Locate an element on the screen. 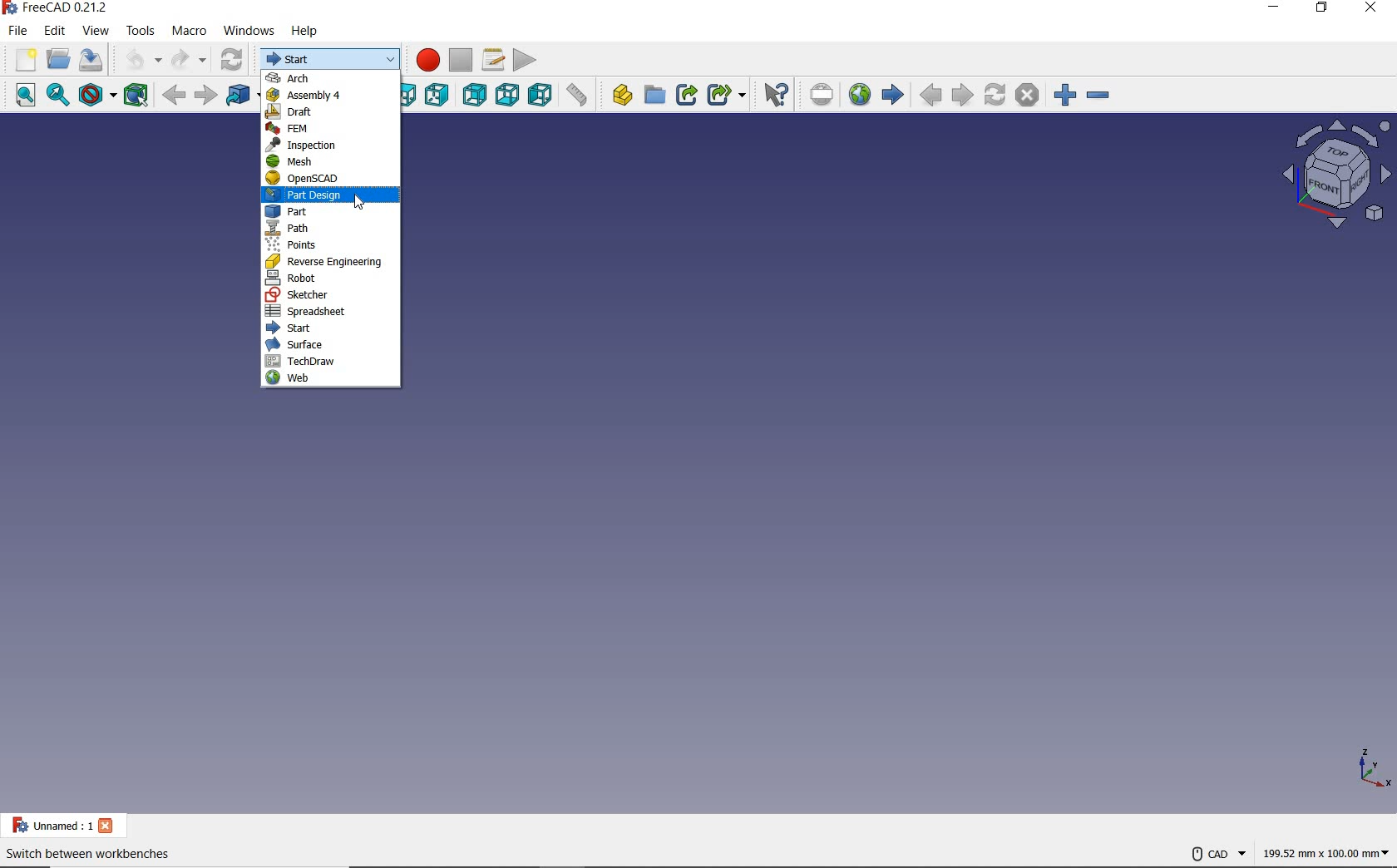 This screenshot has height=868, width=1397. REAR is located at coordinates (473, 94).